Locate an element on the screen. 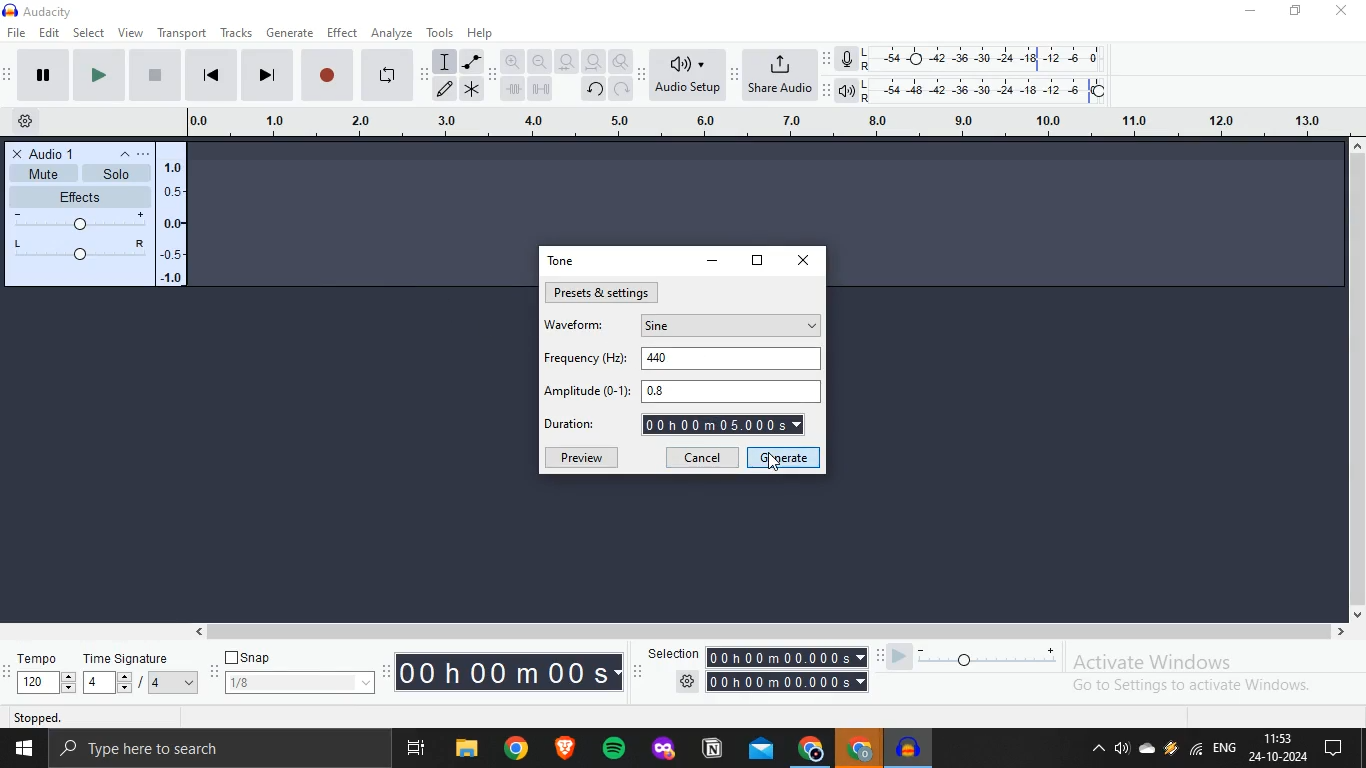  Tools is located at coordinates (441, 31).